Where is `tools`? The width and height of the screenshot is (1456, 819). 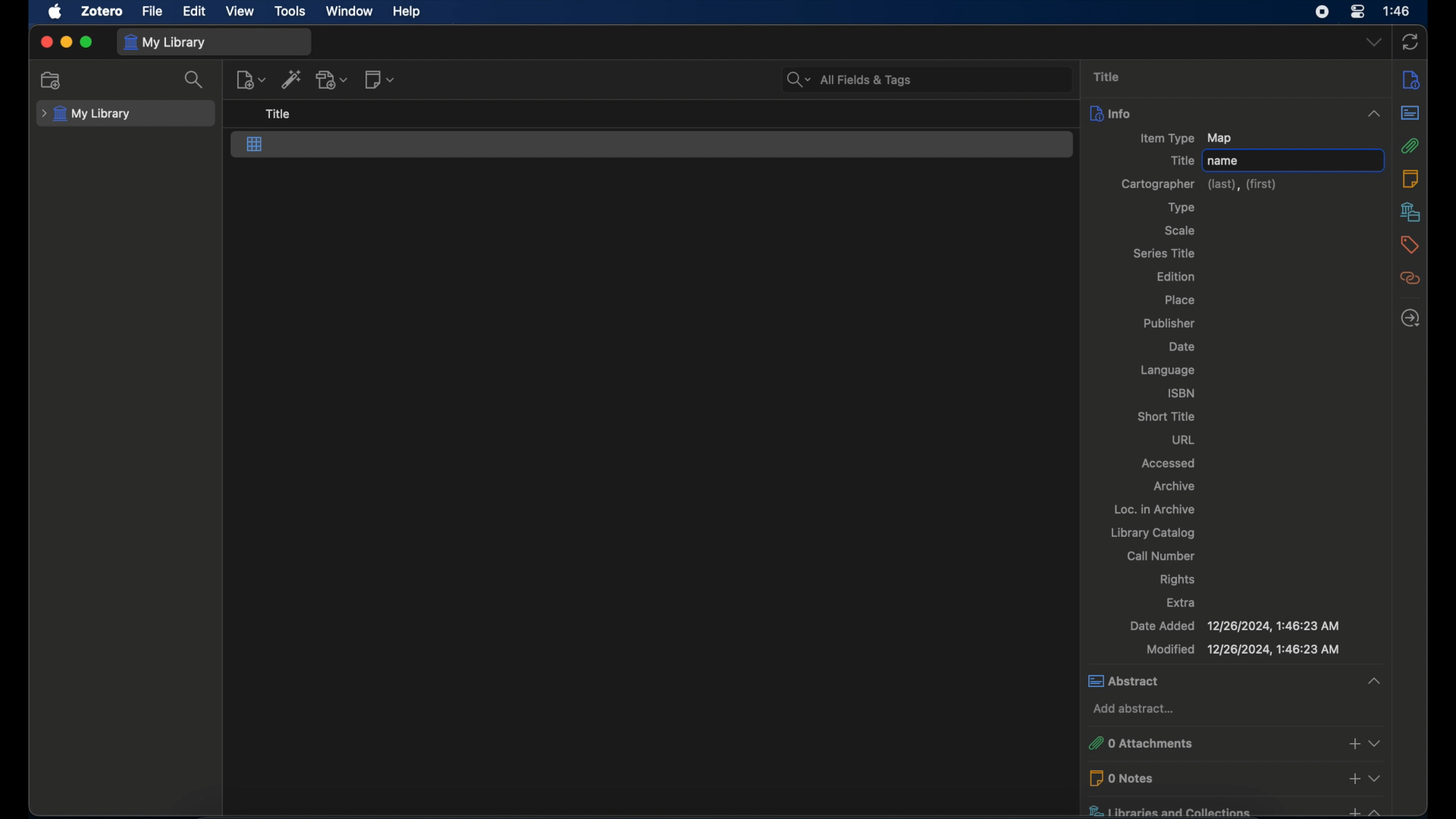
tools is located at coordinates (290, 10).